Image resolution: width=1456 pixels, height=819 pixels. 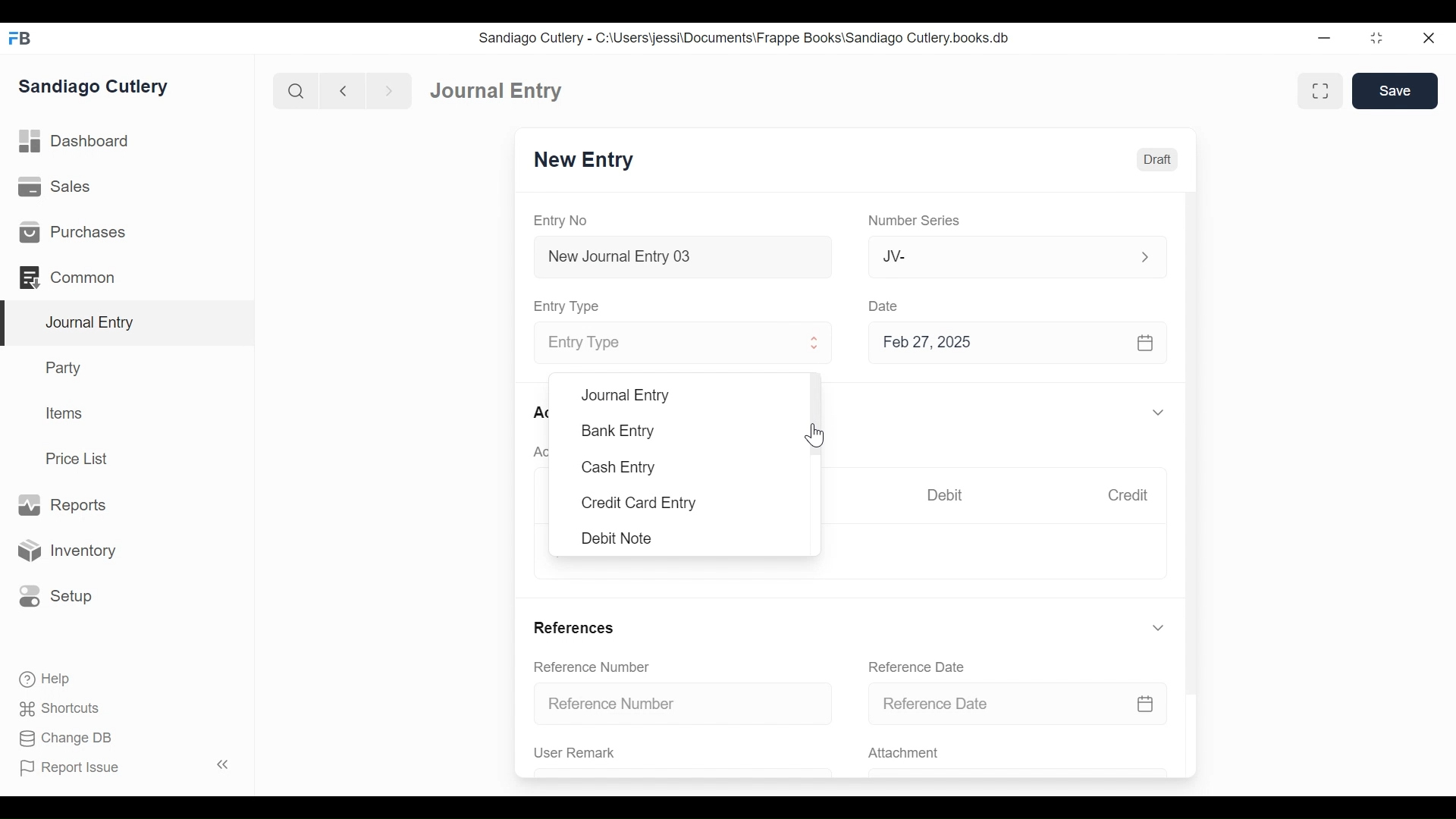 What do you see at coordinates (75, 142) in the screenshot?
I see `Dashboard` at bounding box center [75, 142].